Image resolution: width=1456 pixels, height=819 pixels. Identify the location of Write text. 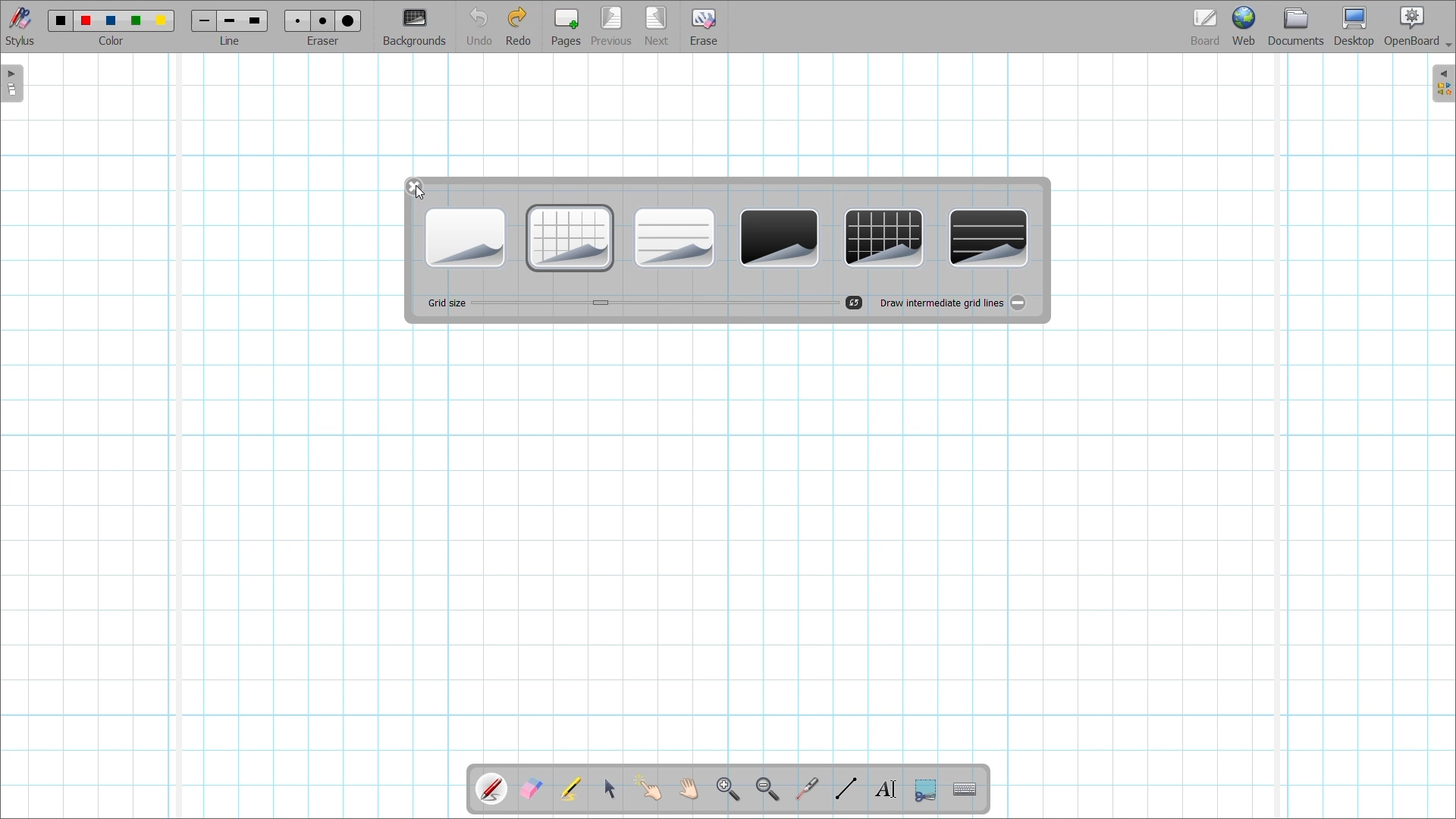
(886, 790).